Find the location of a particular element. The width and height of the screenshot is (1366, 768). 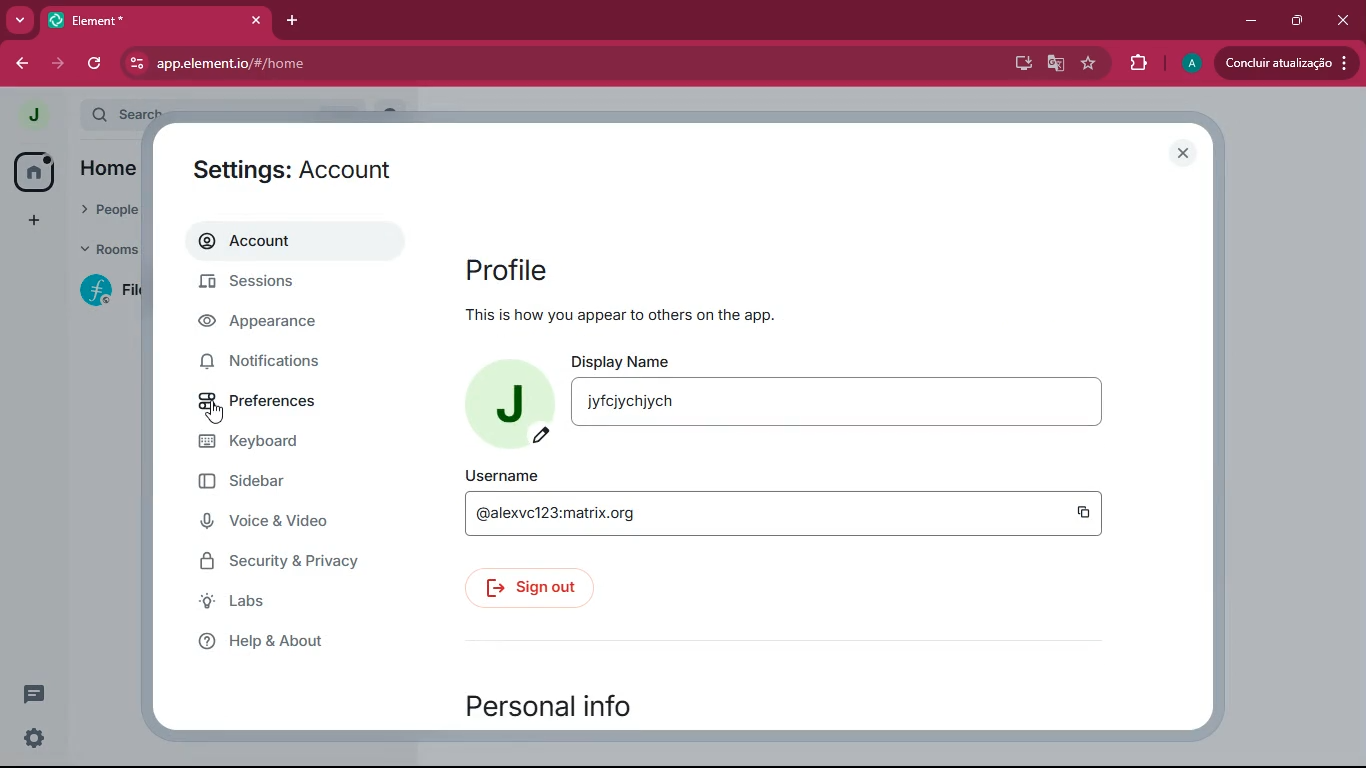

close is located at coordinates (1184, 153).